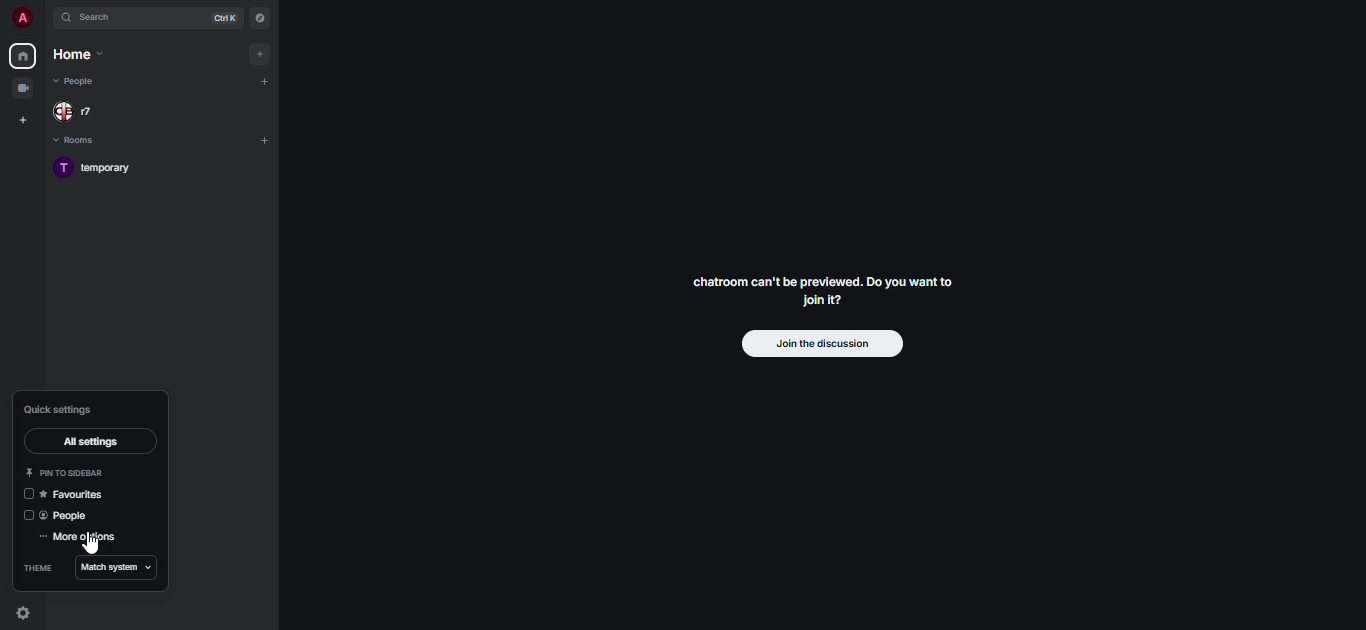 The height and width of the screenshot is (630, 1366). I want to click on people, so click(78, 84).